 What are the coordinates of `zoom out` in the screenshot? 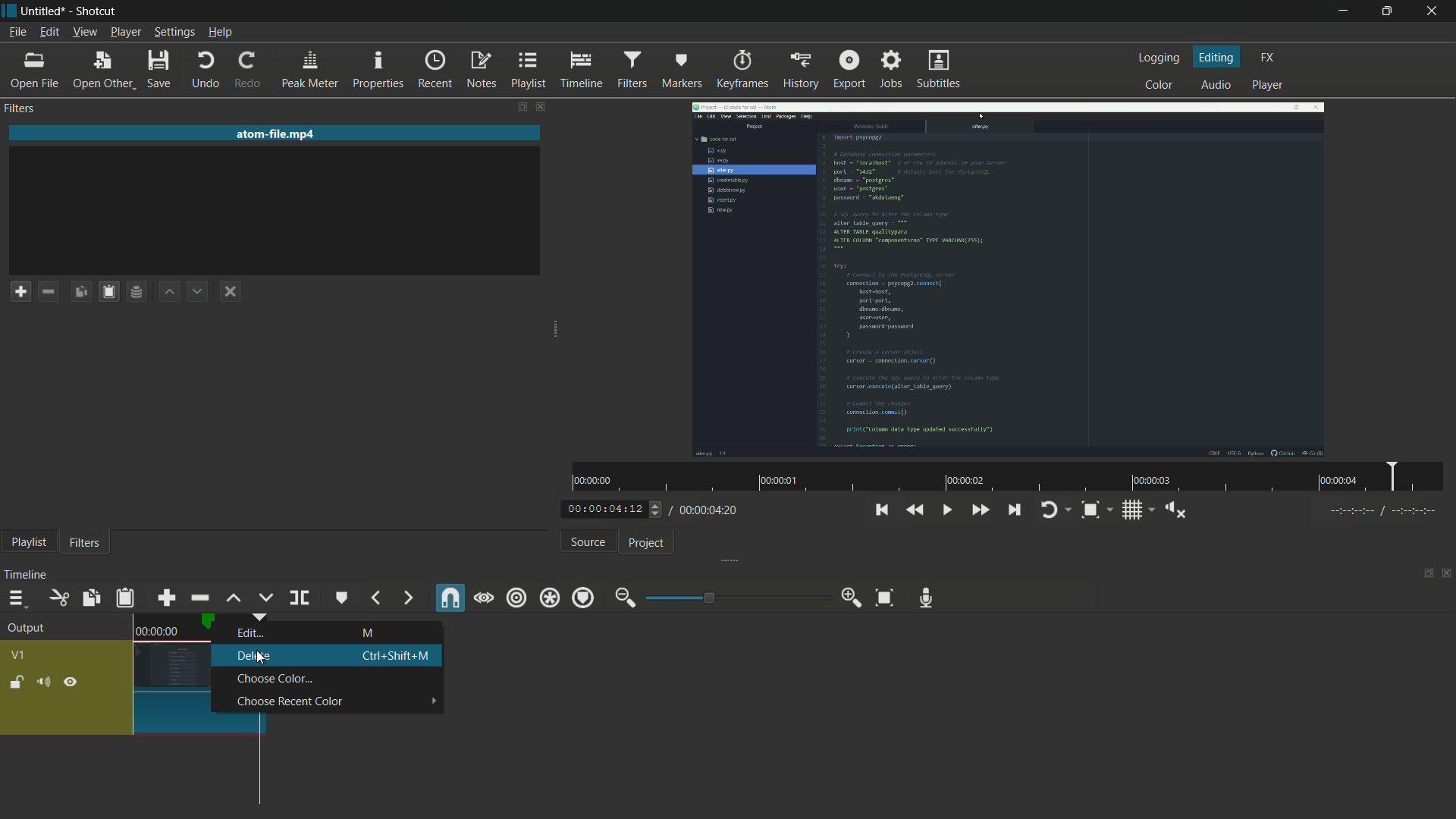 It's located at (626, 599).